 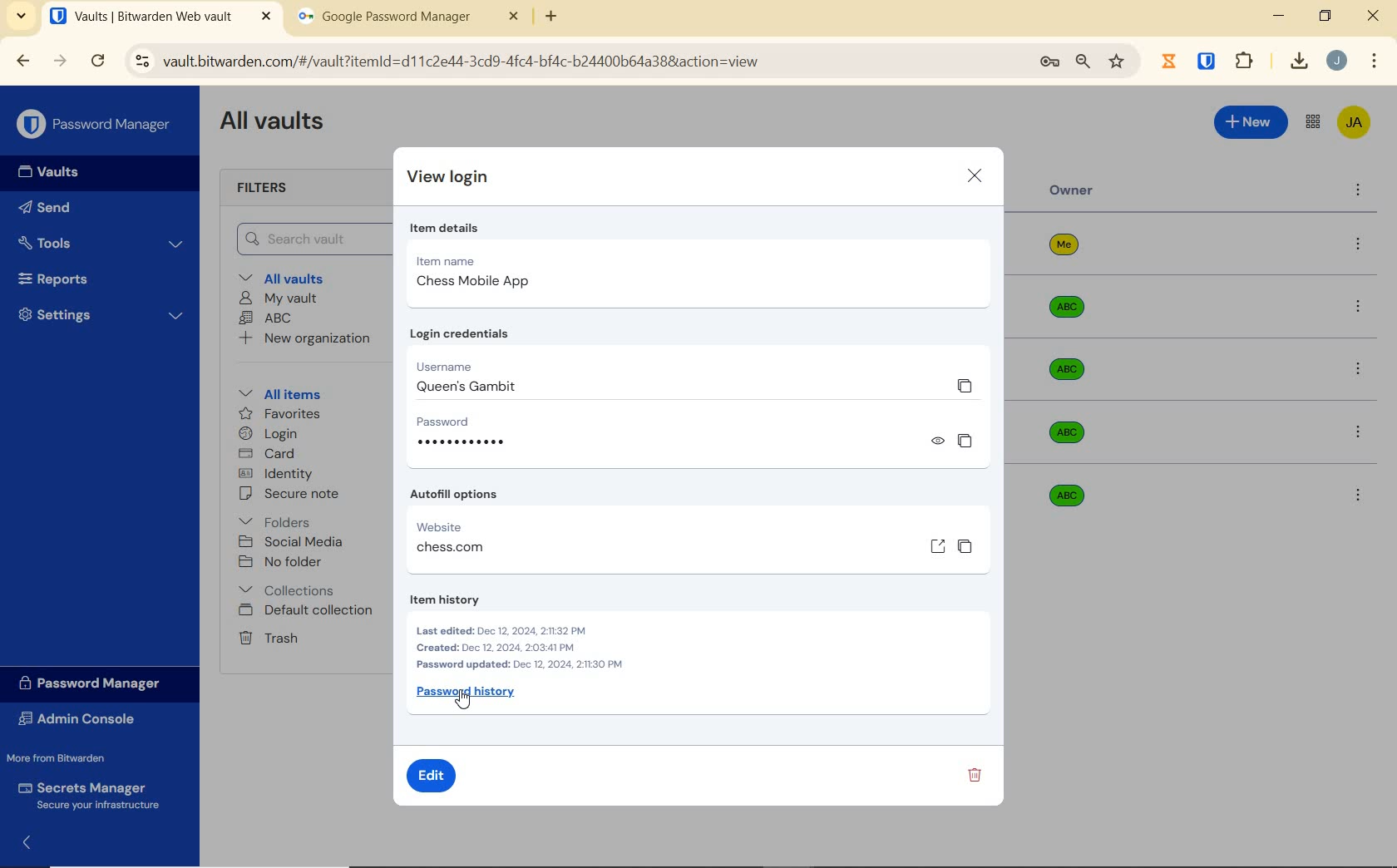 I want to click on secure note, so click(x=292, y=496).